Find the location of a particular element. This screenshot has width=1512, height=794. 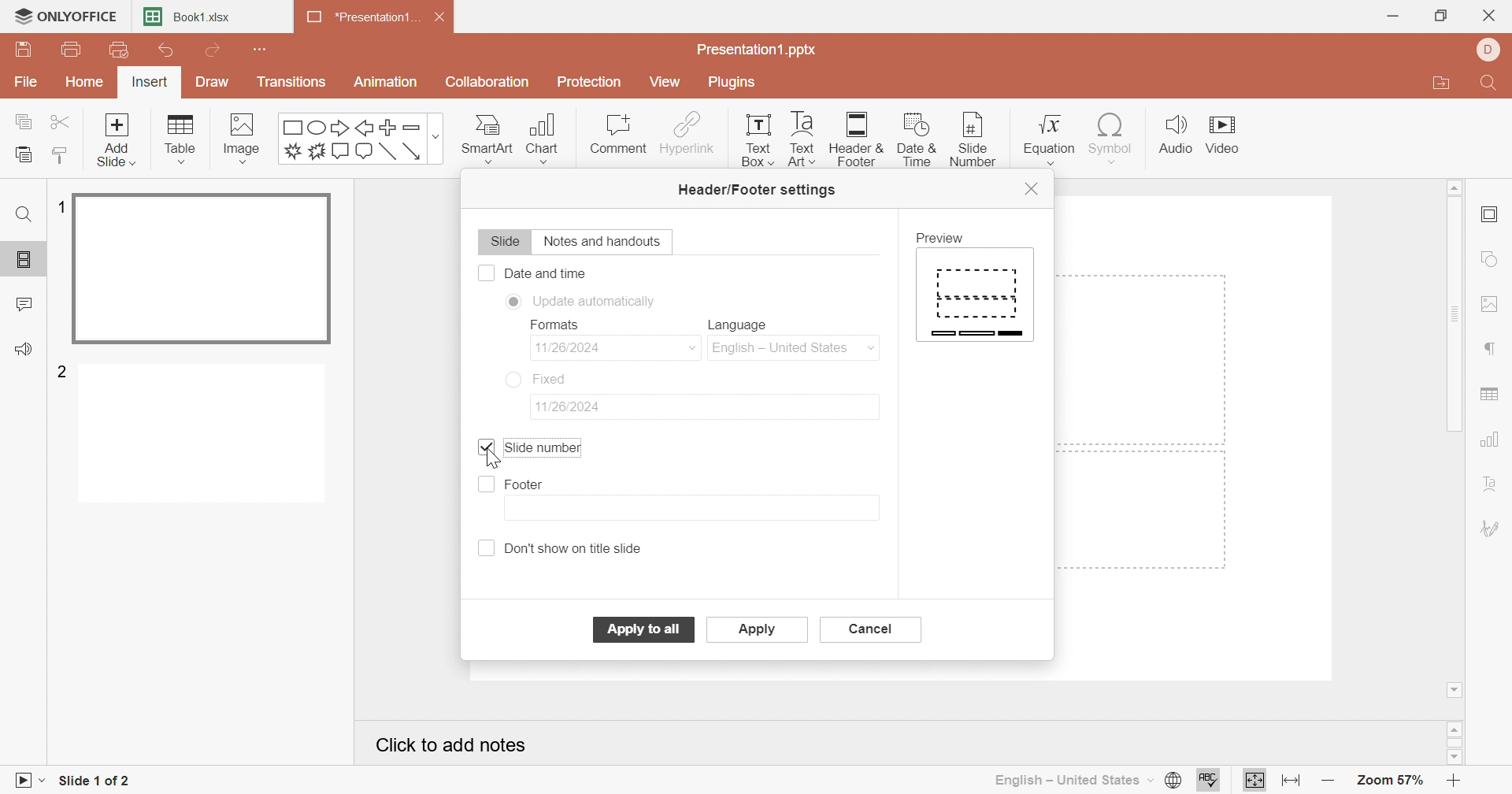

Plugins is located at coordinates (733, 82).